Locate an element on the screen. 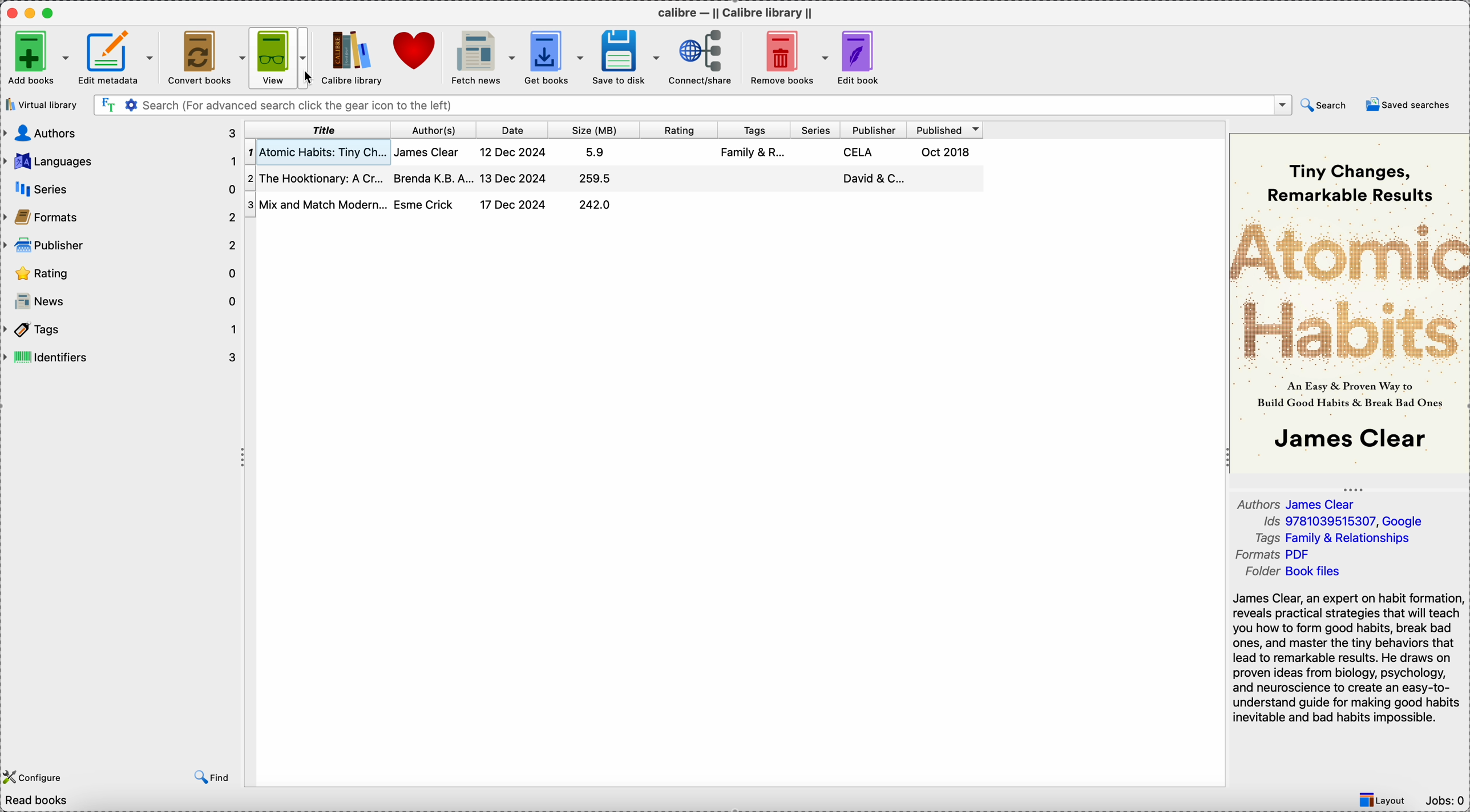 The height and width of the screenshot is (812, 1470). series is located at coordinates (816, 128).